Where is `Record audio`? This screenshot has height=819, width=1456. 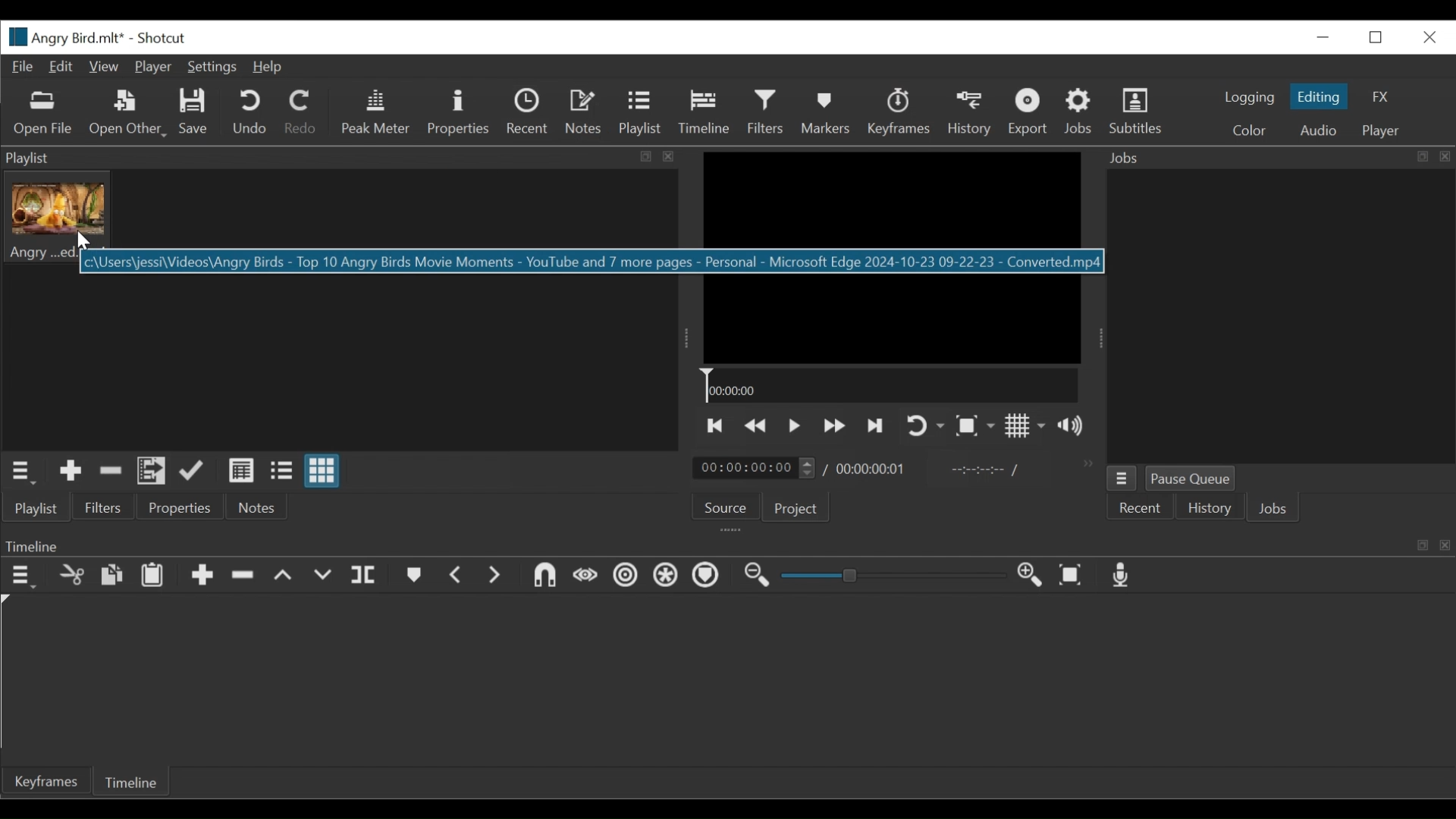
Record audio is located at coordinates (1127, 576).